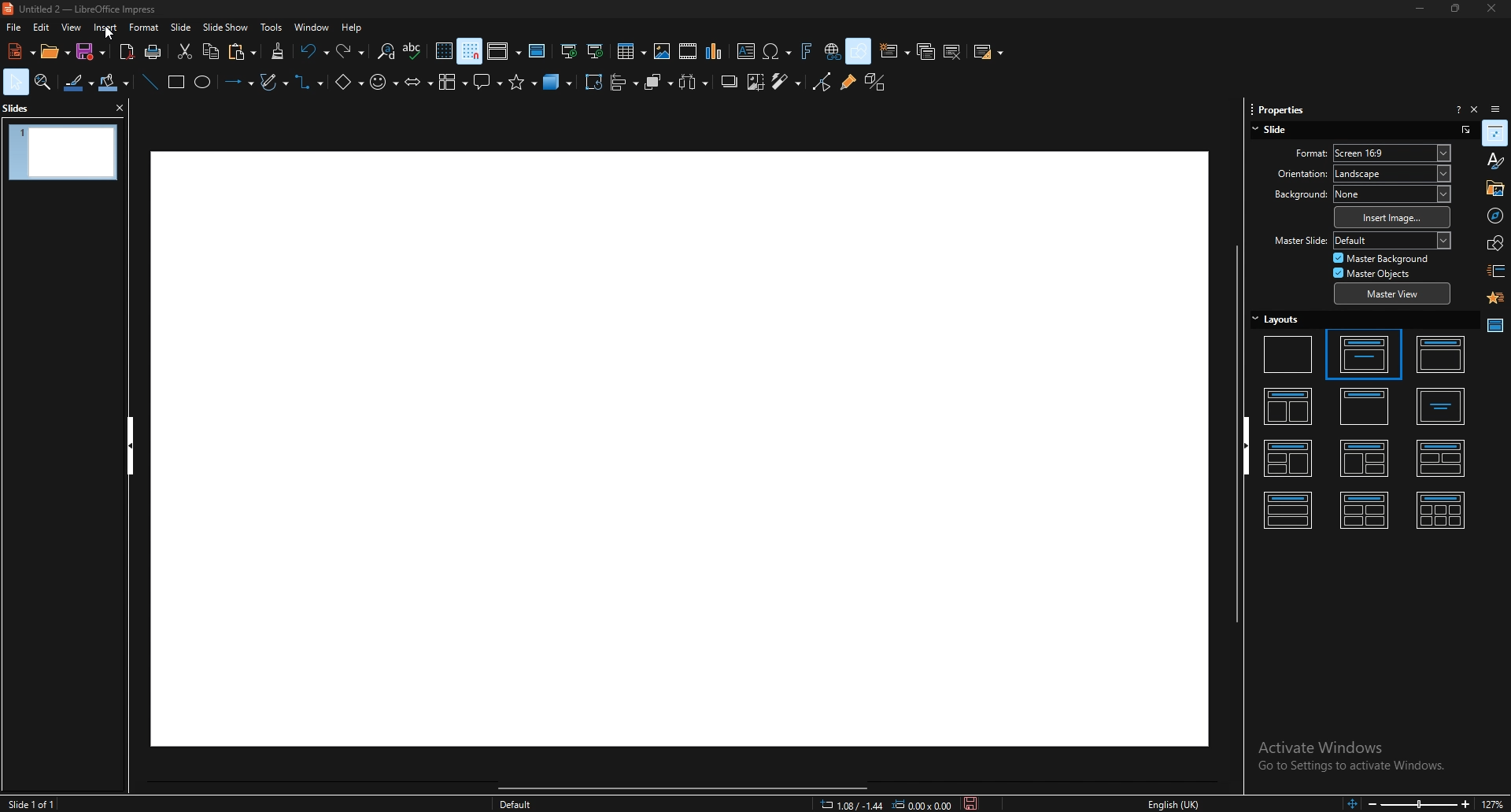 The width and height of the screenshot is (1511, 812). Describe the element at coordinates (1420, 9) in the screenshot. I see `minimize` at that location.